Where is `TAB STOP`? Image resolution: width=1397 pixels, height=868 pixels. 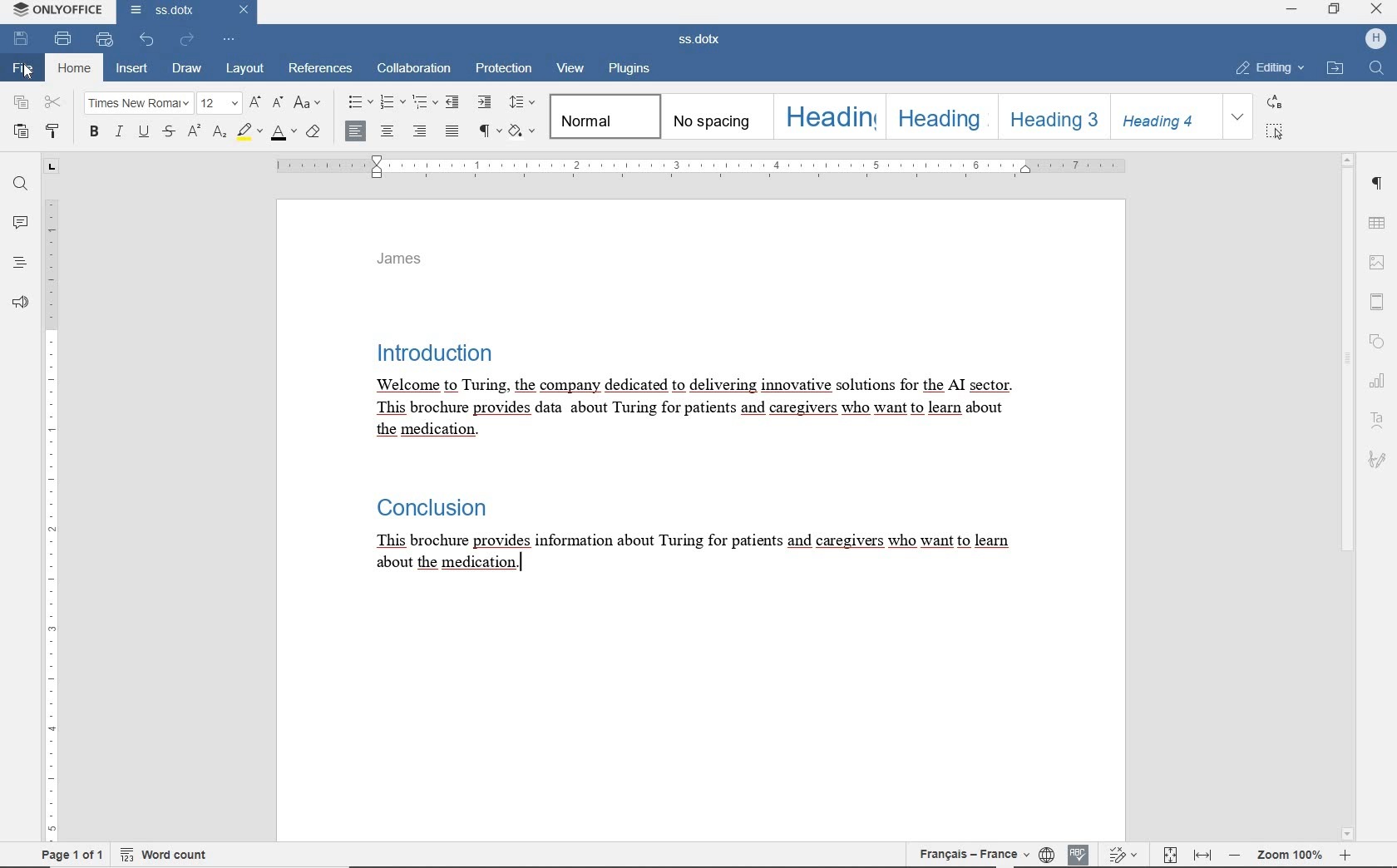
TAB STOP is located at coordinates (50, 167).